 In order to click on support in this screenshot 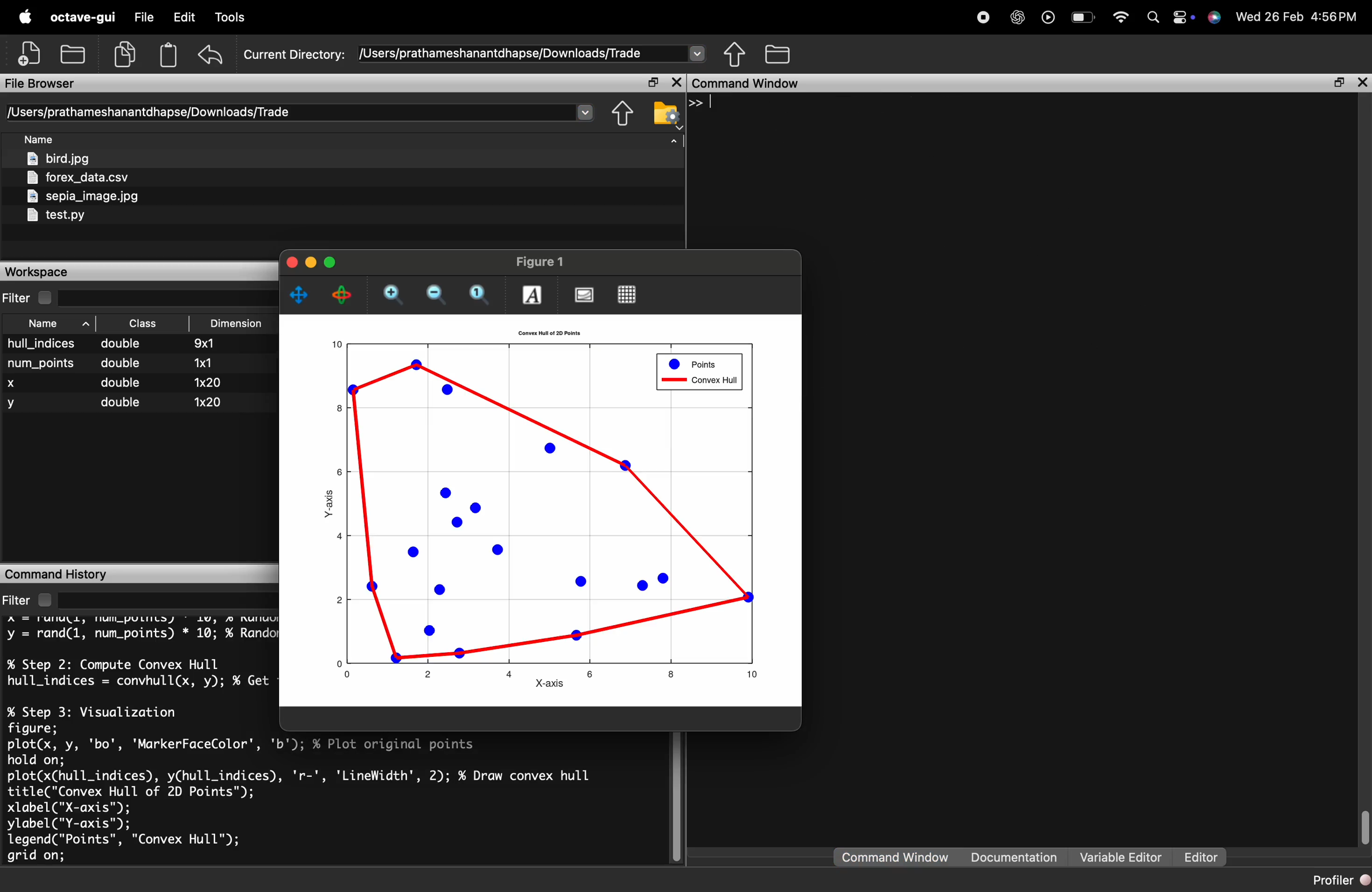, I will do `click(1215, 18)`.